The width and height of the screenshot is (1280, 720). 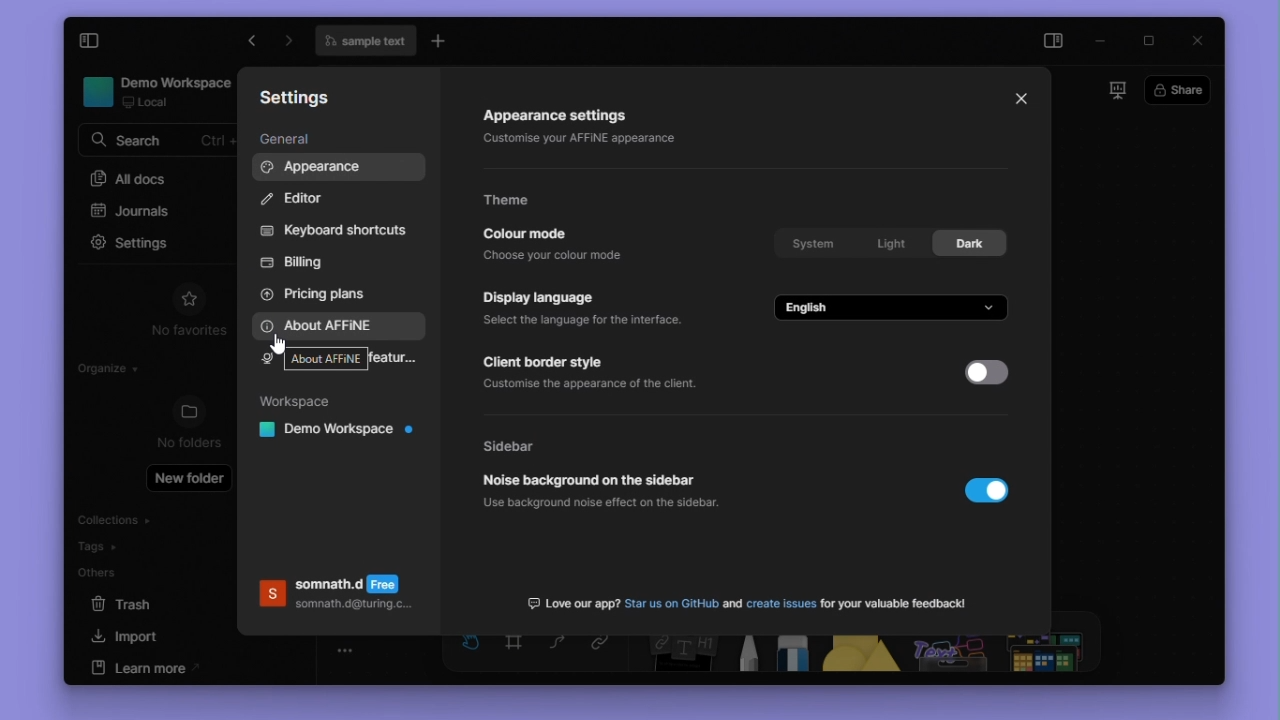 I want to click on Color mode, so click(x=557, y=245).